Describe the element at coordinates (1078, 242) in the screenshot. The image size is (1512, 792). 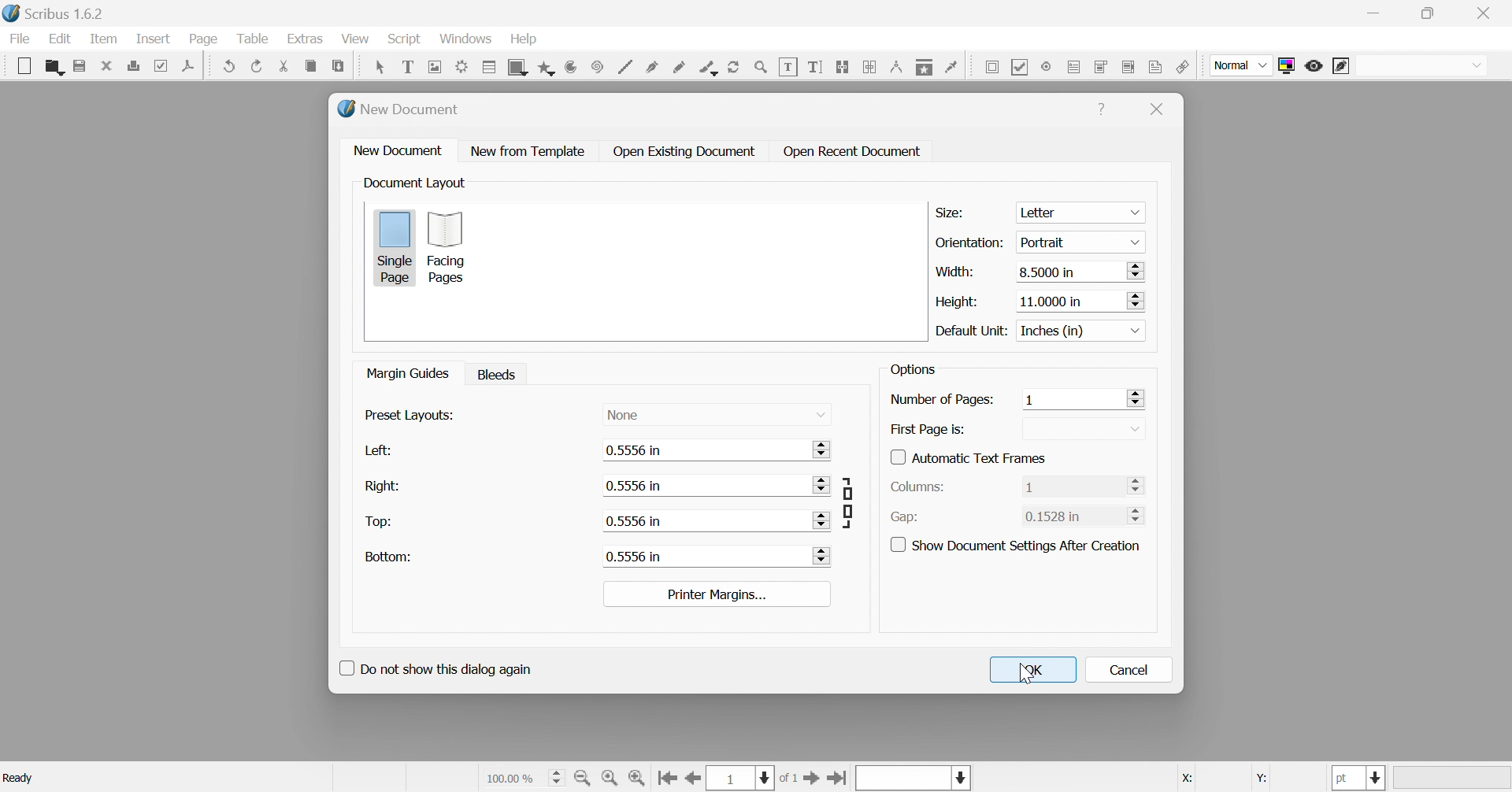
I see `portrait` at that location.